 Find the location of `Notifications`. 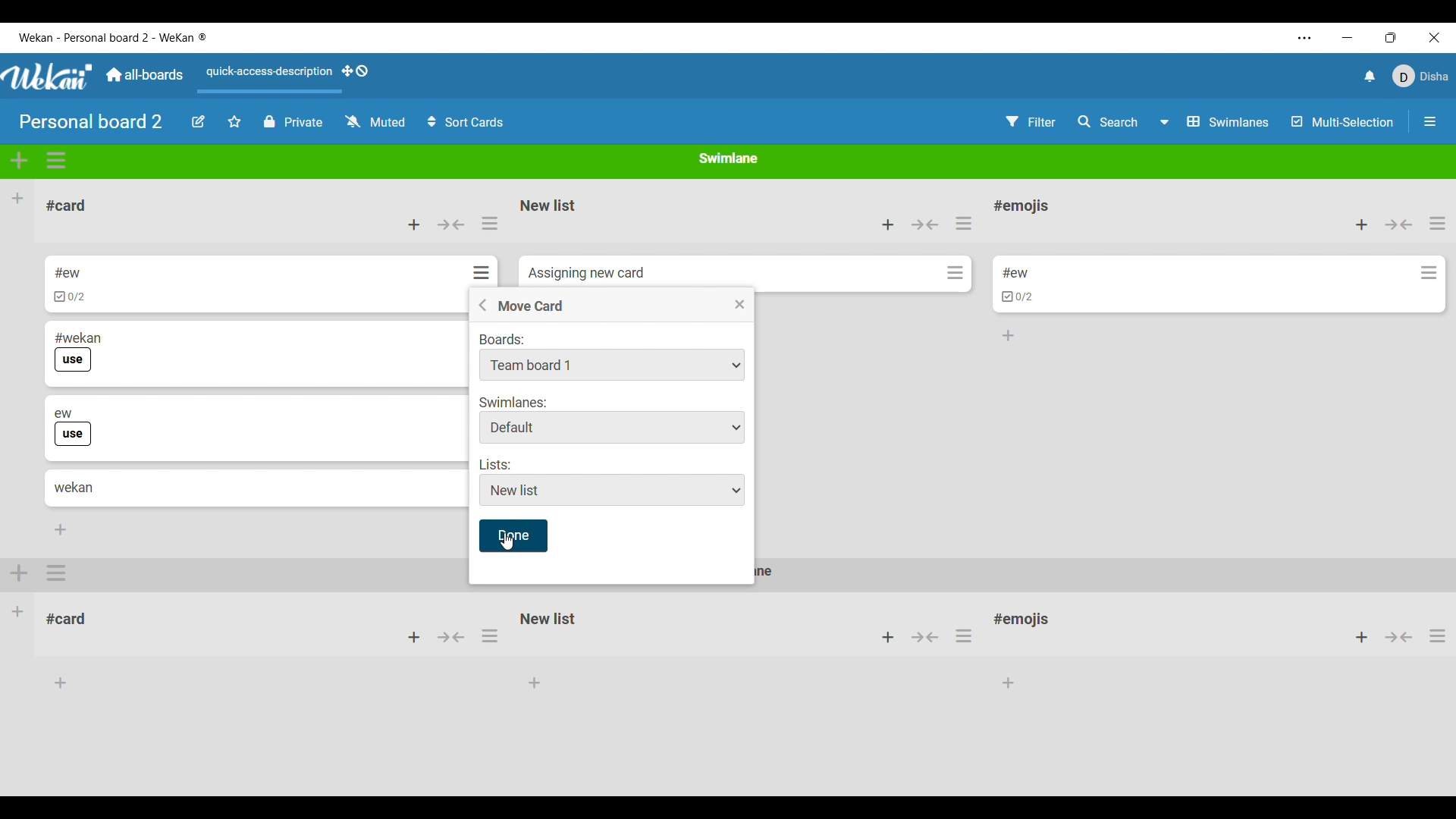

Notifications is located at coordinates (1370, 76).